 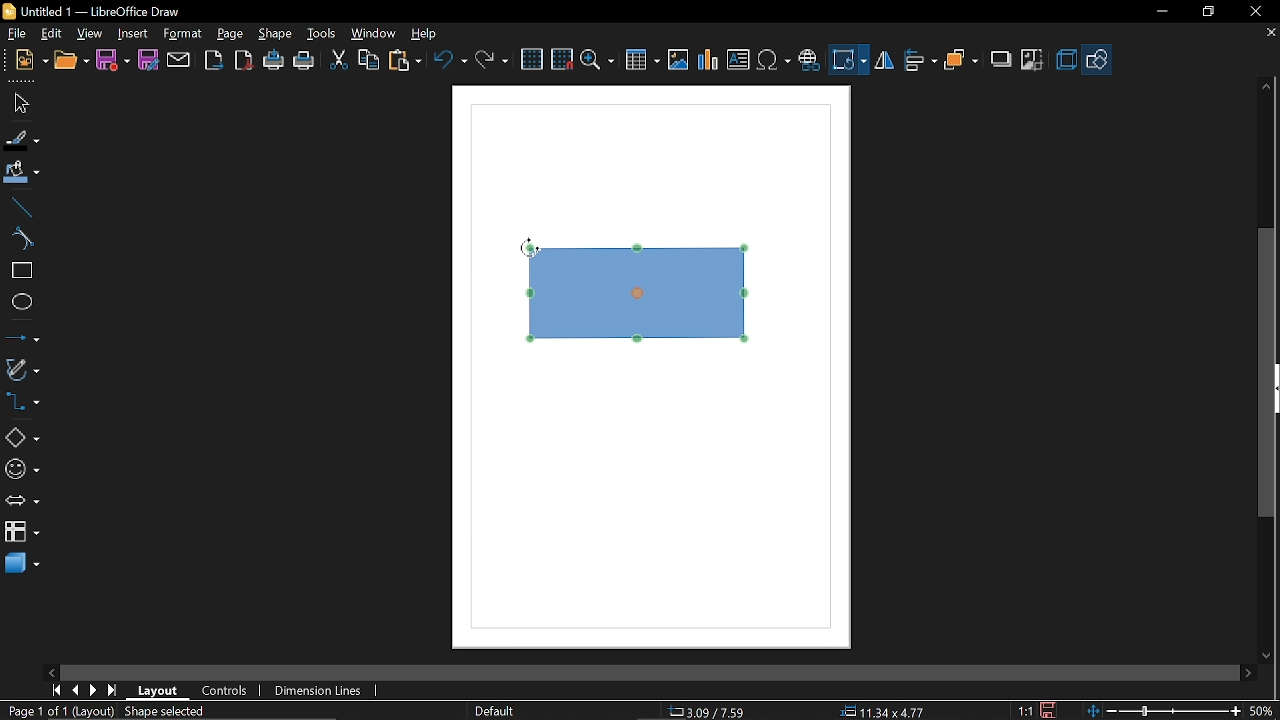 What do you see at coordinates (738, 61) in the screenshot?
I see `insert text` at bounding box center [738, 61].